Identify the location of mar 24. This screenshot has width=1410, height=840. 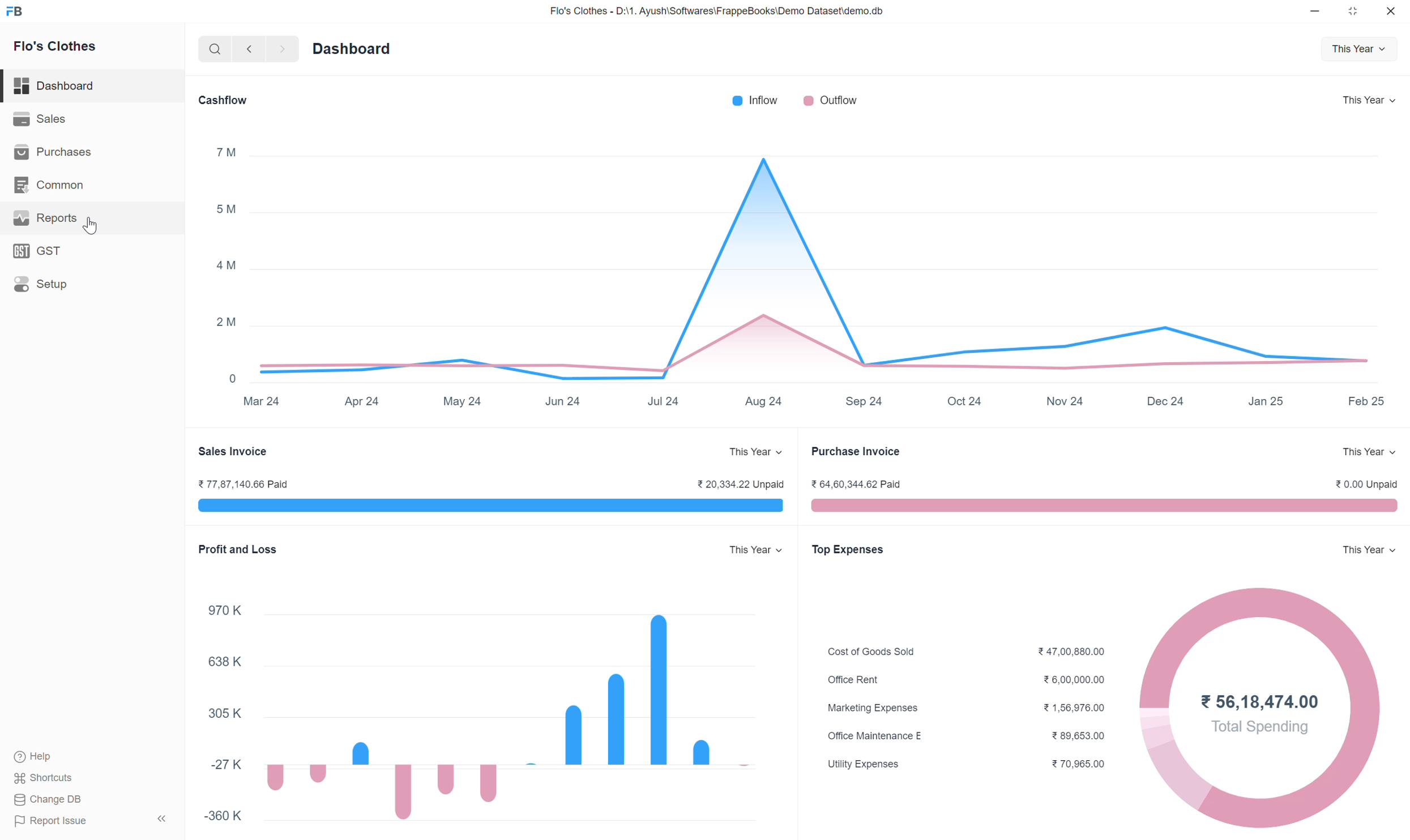
(261, 402).